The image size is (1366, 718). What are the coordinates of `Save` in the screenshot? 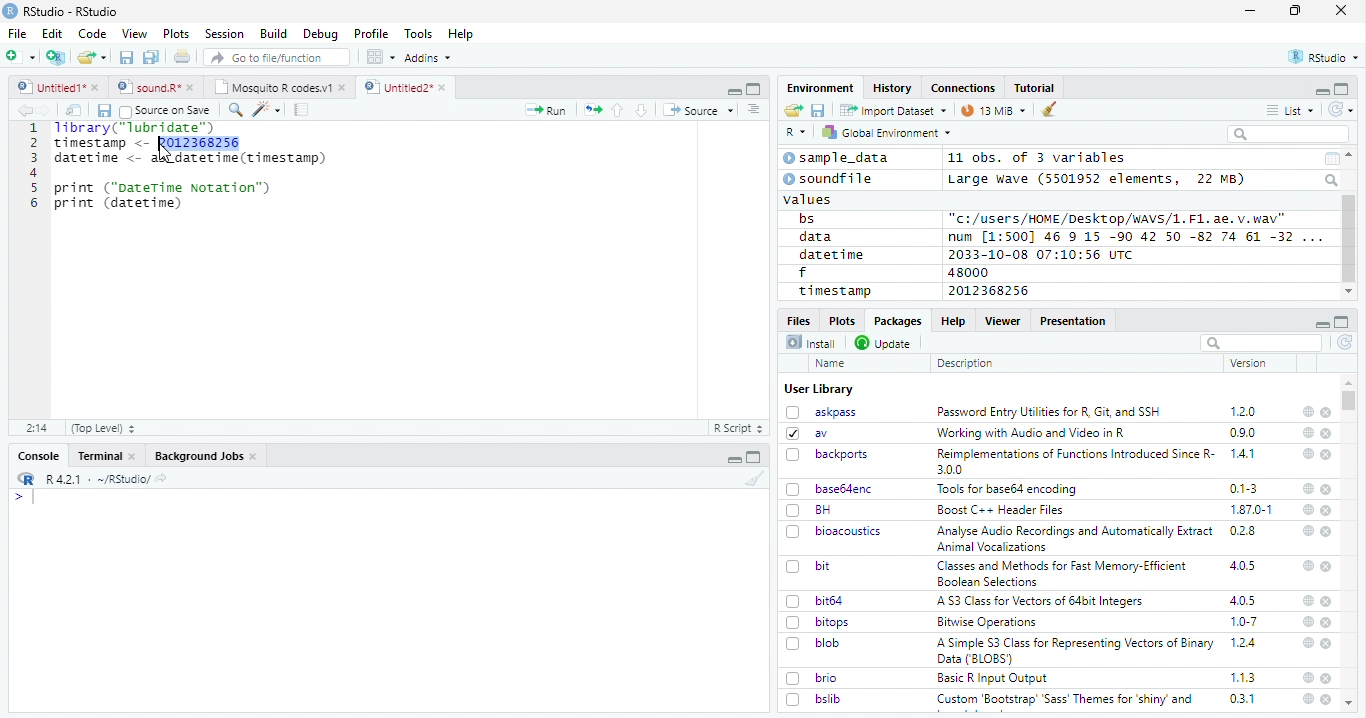 It's located at (819, 111).